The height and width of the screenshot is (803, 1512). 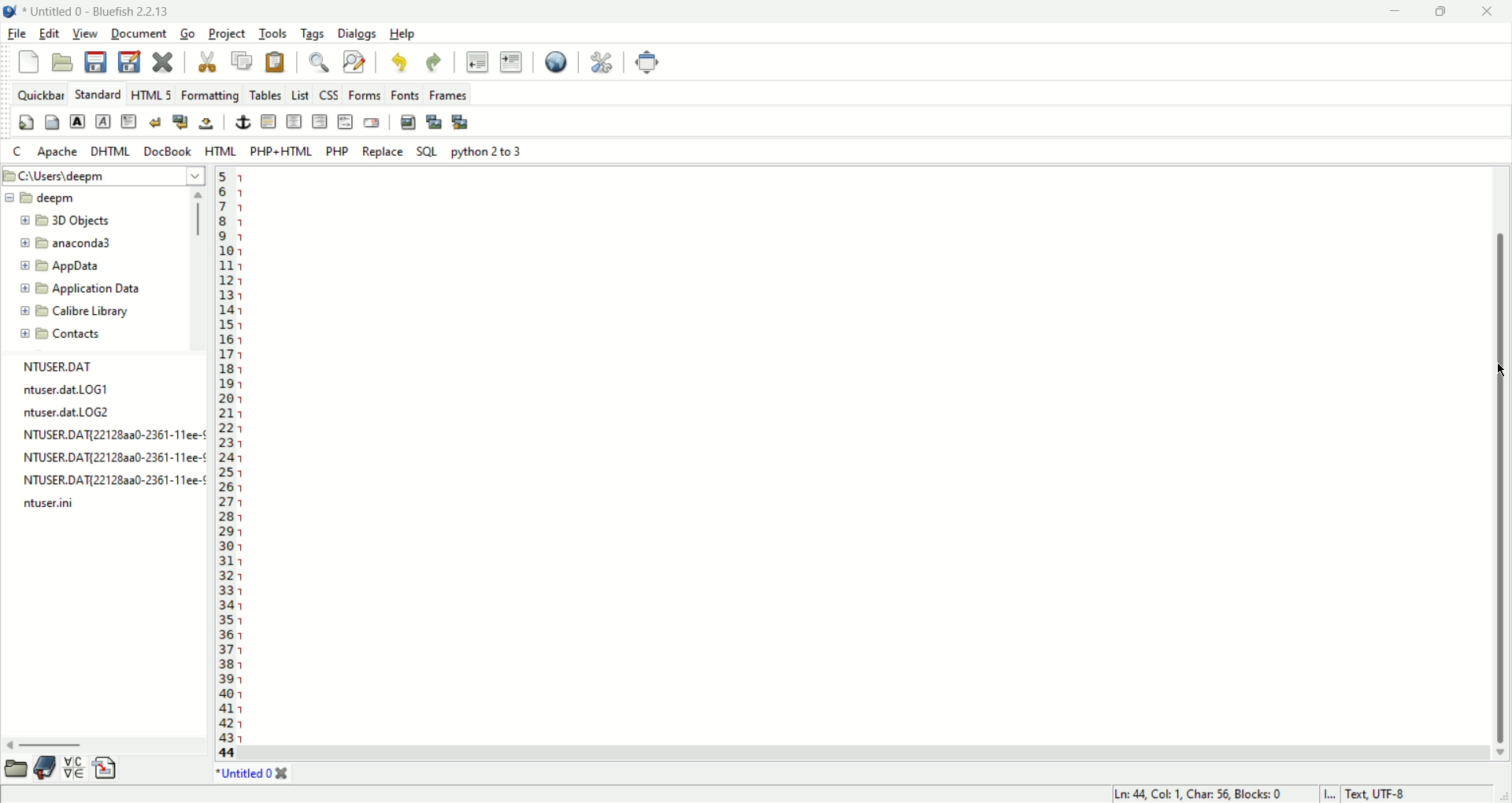 What do you see at coordinates (435, 121) in the screenshot?
I see `insert thumbnail` at bounding box center [435, 121].